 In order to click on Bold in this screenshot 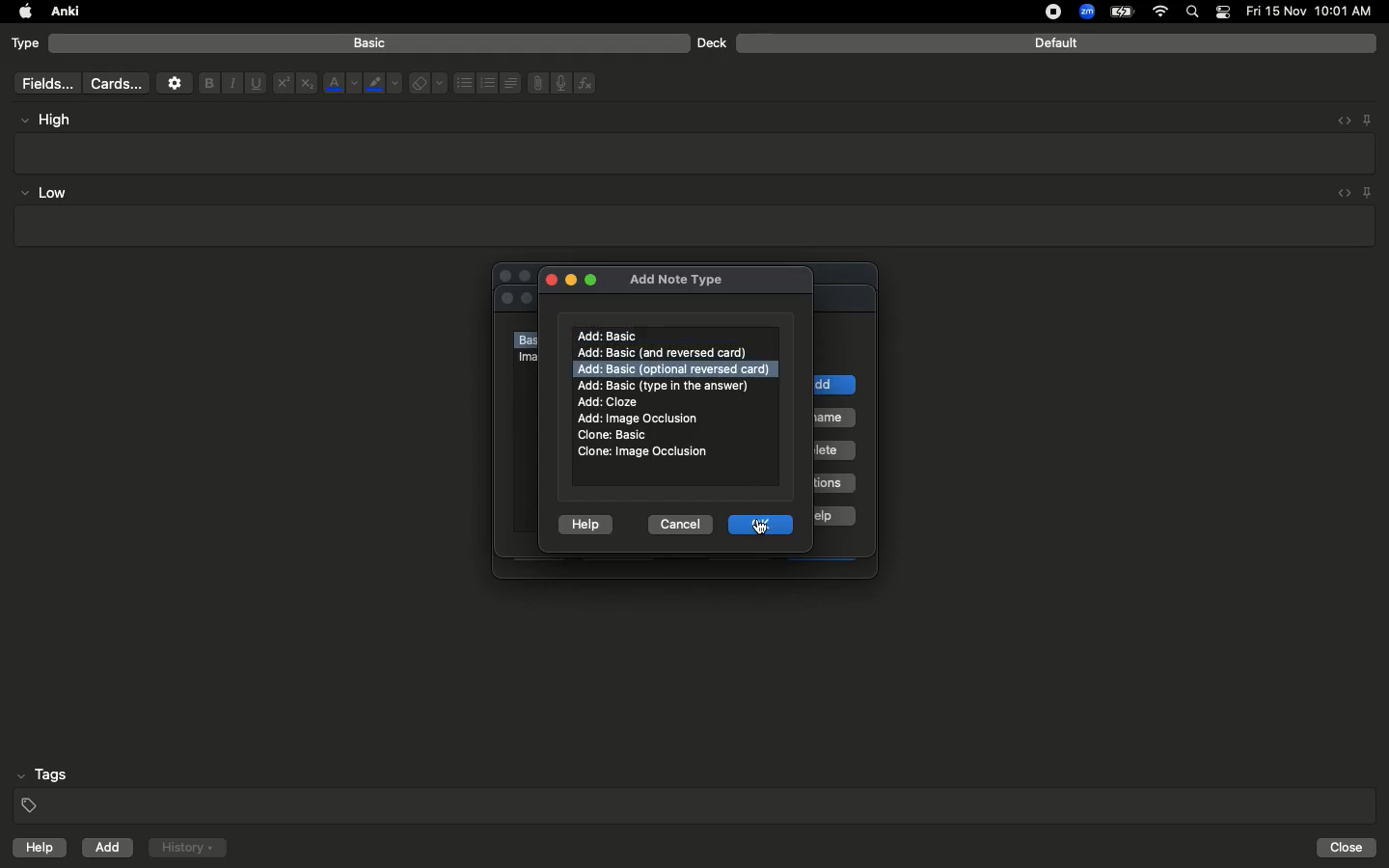, I will do `click(207, 82)`.